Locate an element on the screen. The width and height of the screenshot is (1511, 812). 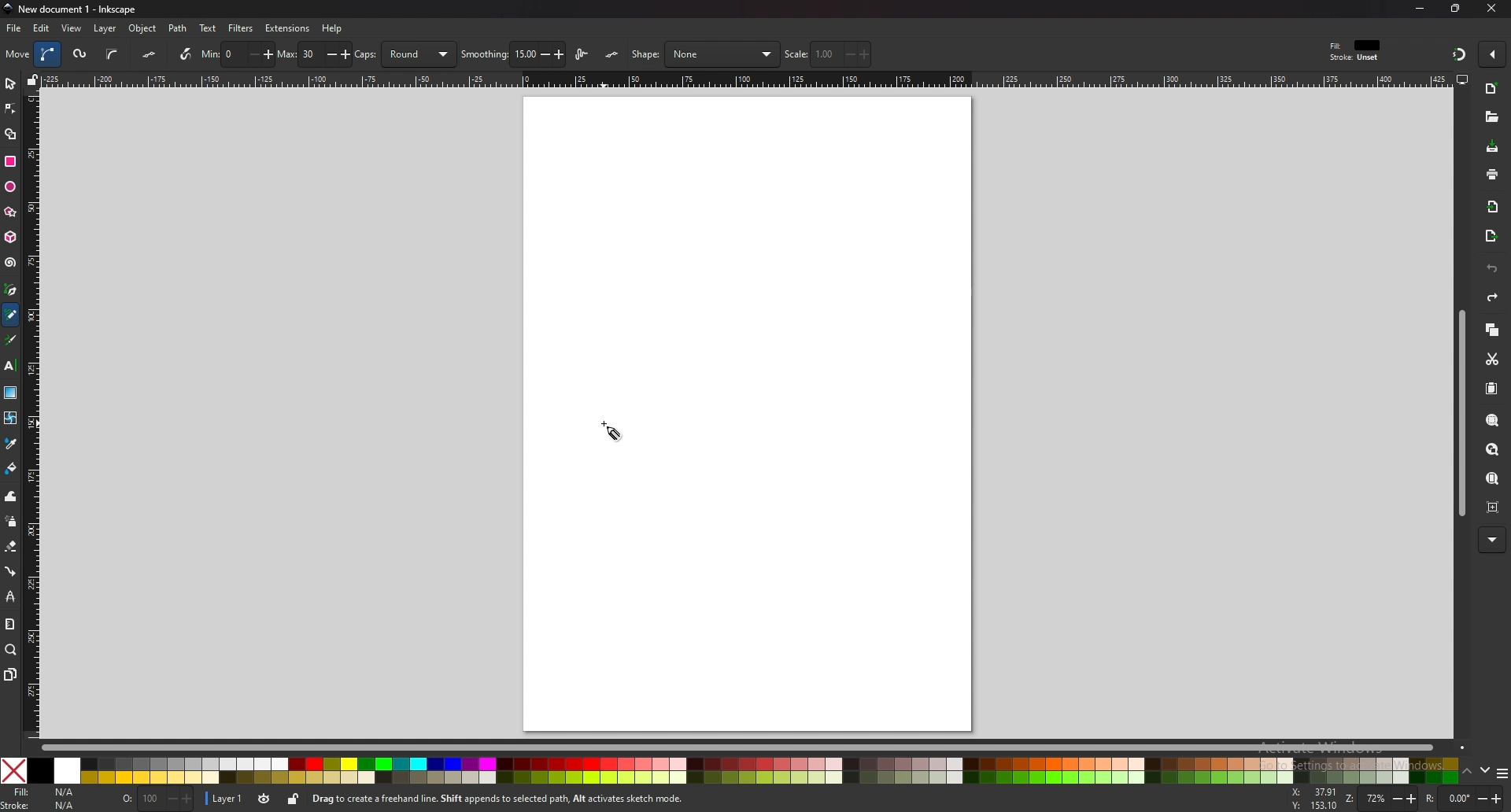
max is located at coordinates (315, 53).